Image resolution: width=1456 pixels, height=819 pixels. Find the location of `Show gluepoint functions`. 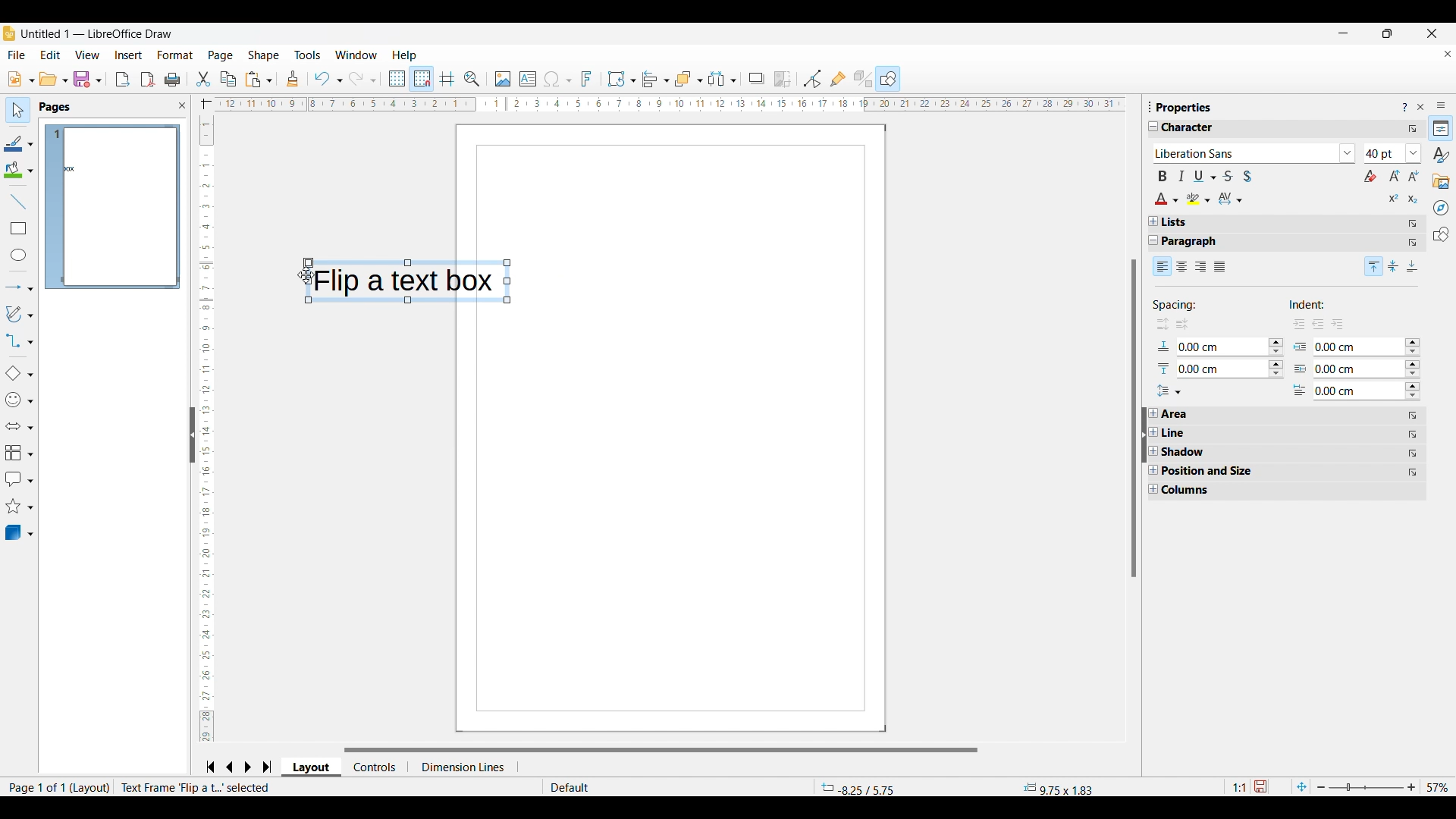

Show gluepoint functions is located at coordinates (839, 79).